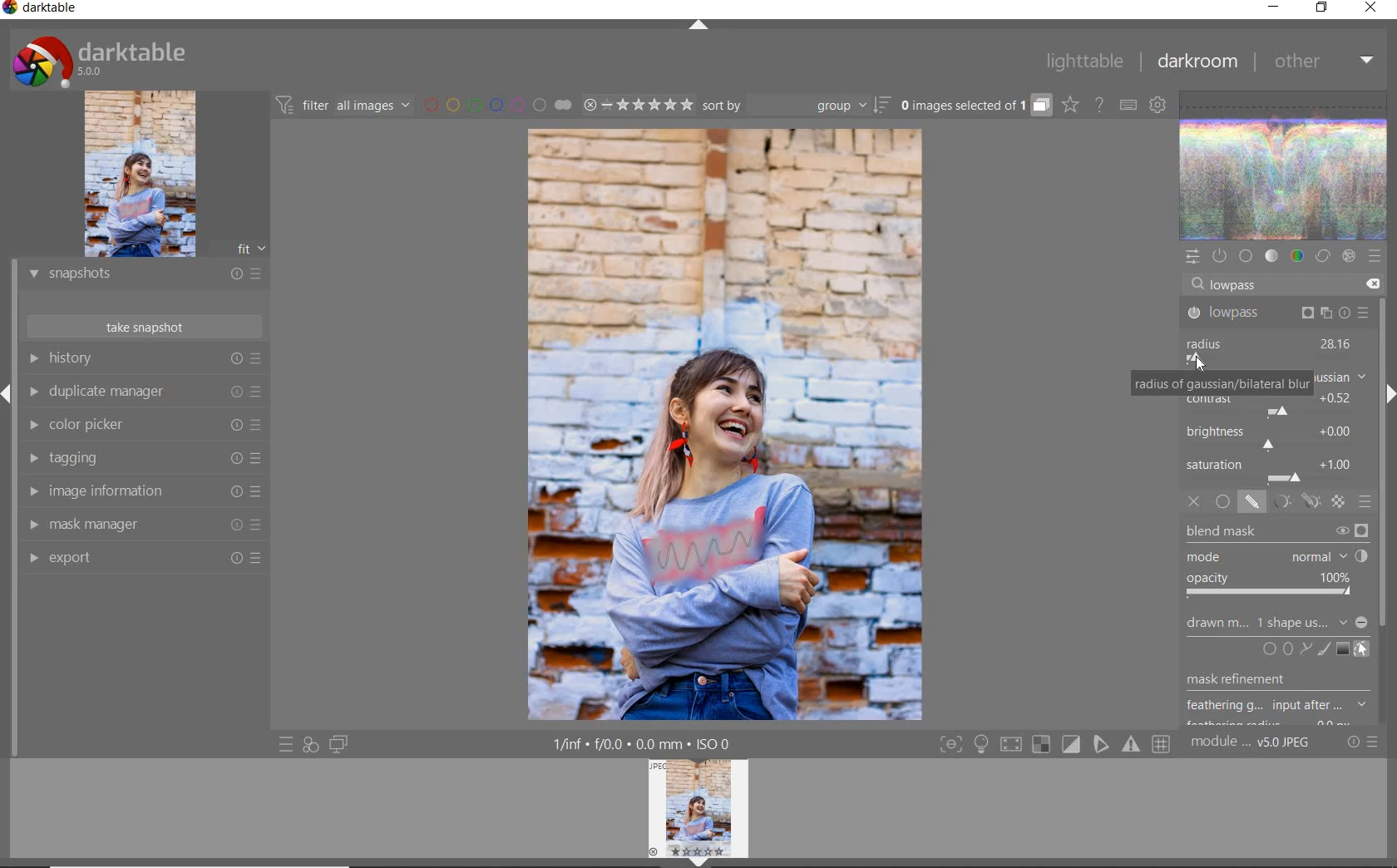 The width and height of the screenshot is (1397, 868). I want to click on presets, so click(1375, 256).